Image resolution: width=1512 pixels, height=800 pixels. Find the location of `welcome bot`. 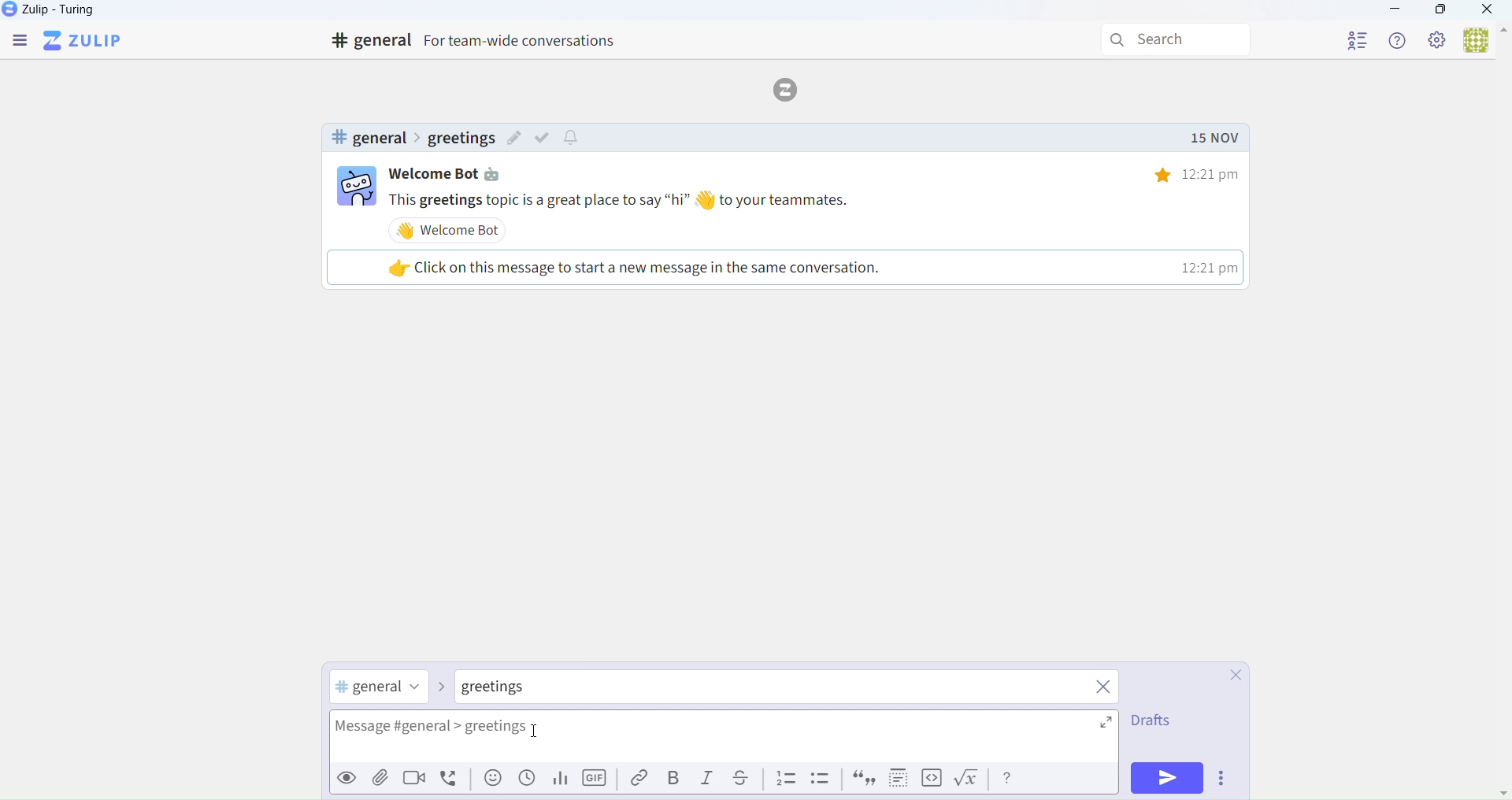

welcome bot is located at coordinates (452, 230).